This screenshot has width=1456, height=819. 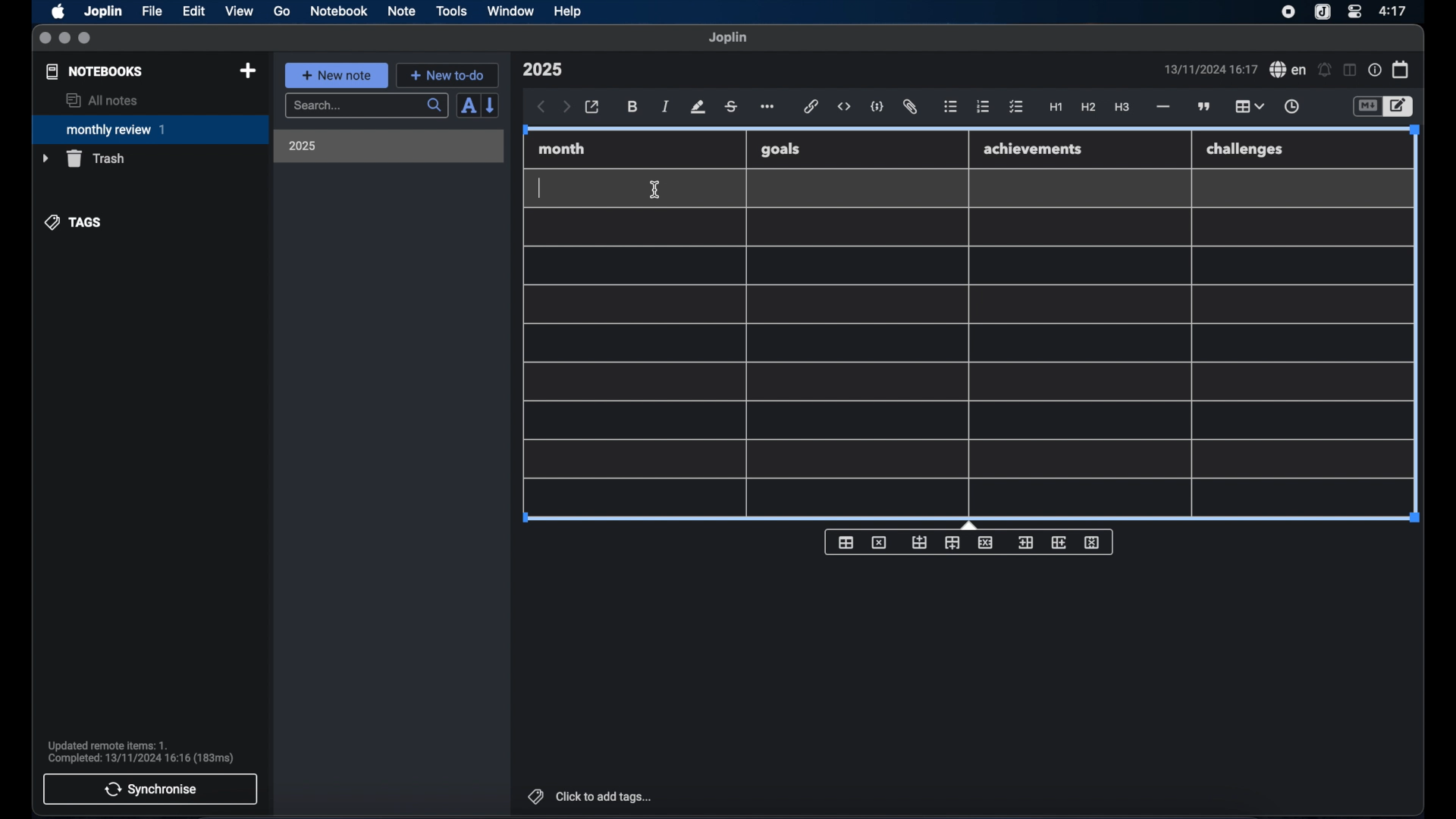 What do you see at coordinates (86, 39) in the screenshot?
I see `maximize` at bounding box center [86, 39].